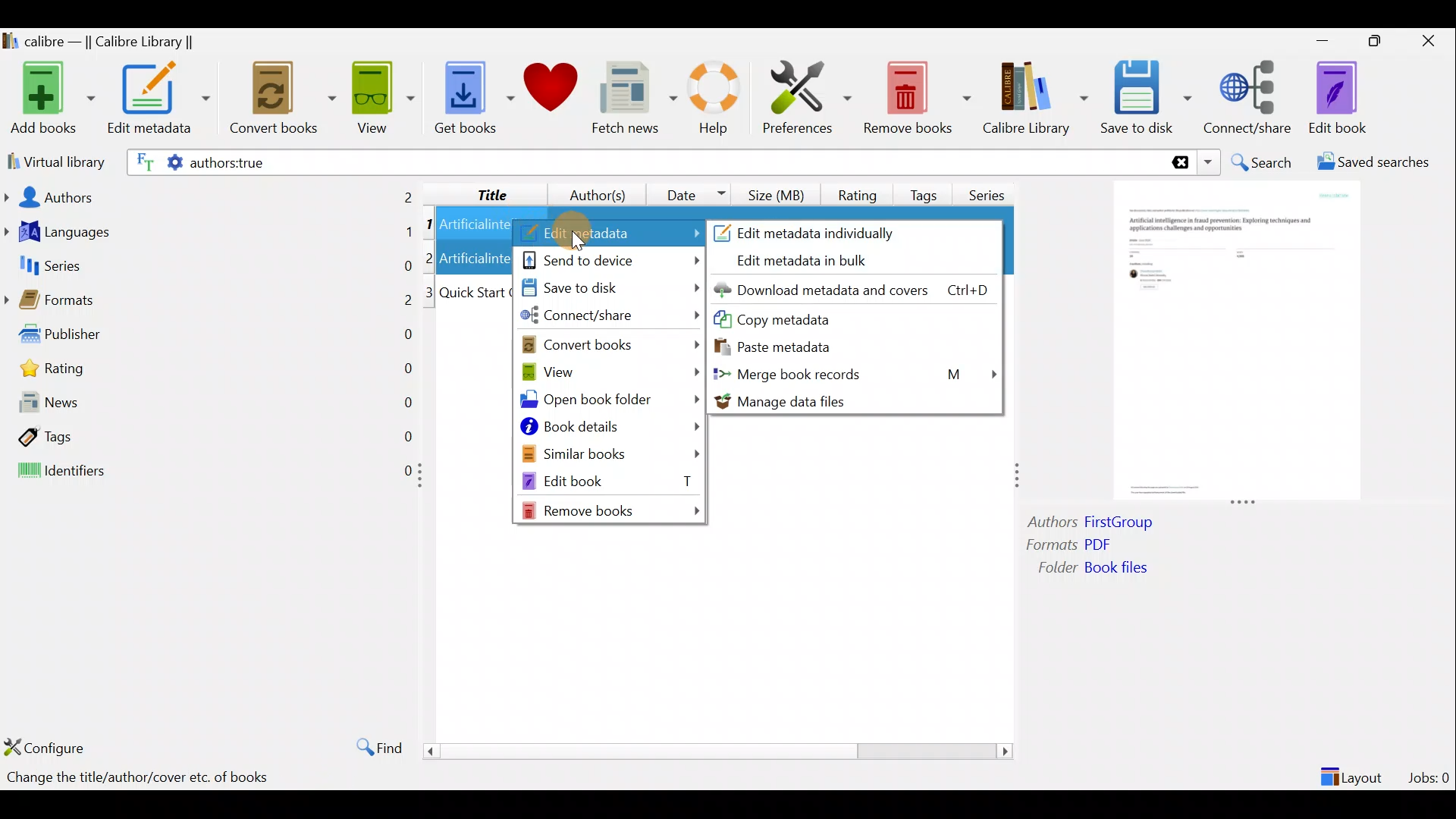 The image size is (1456, 819). I want to click on Maximize, so click(1382, 42).